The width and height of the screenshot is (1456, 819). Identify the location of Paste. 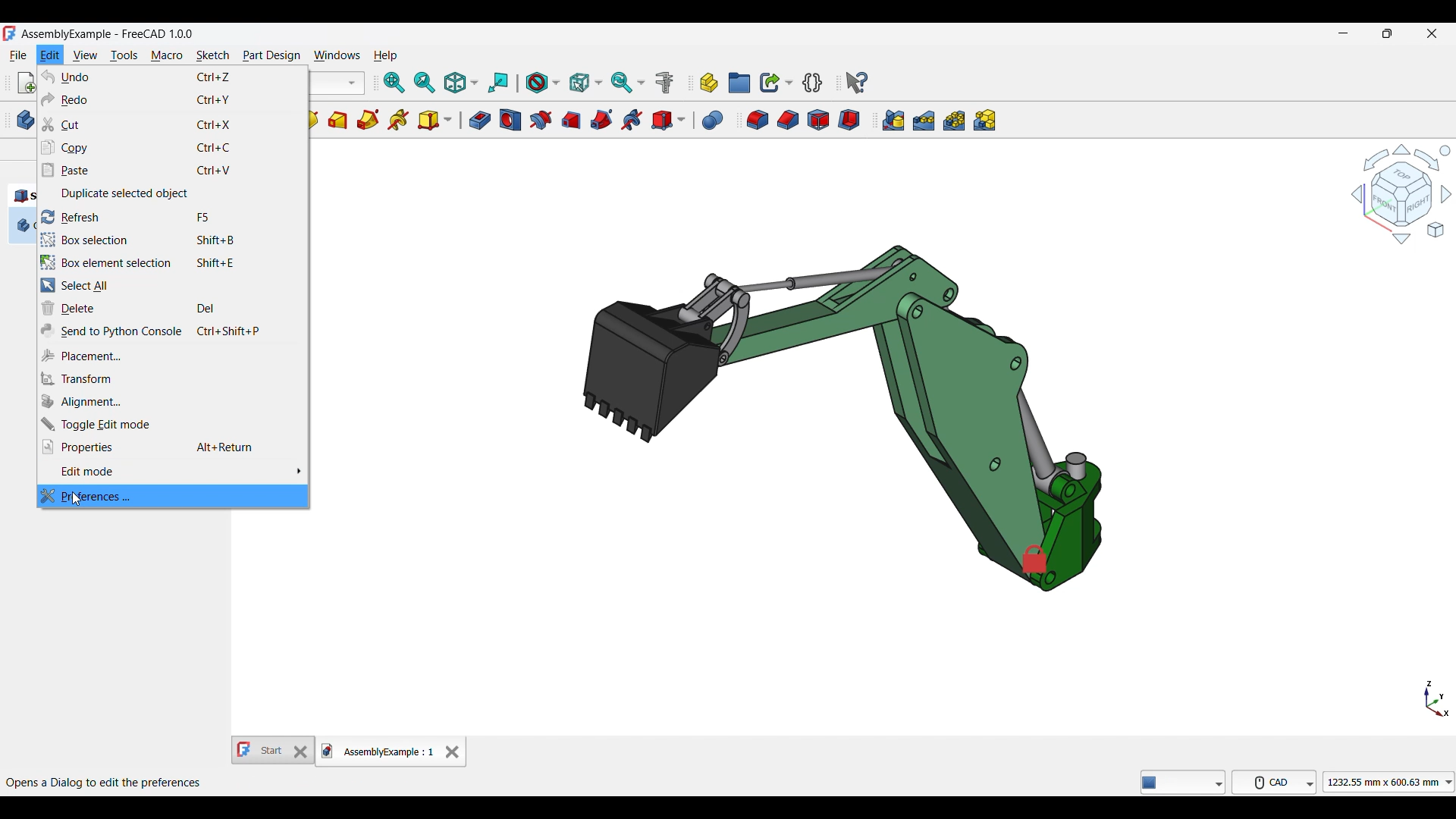
(173, 170).